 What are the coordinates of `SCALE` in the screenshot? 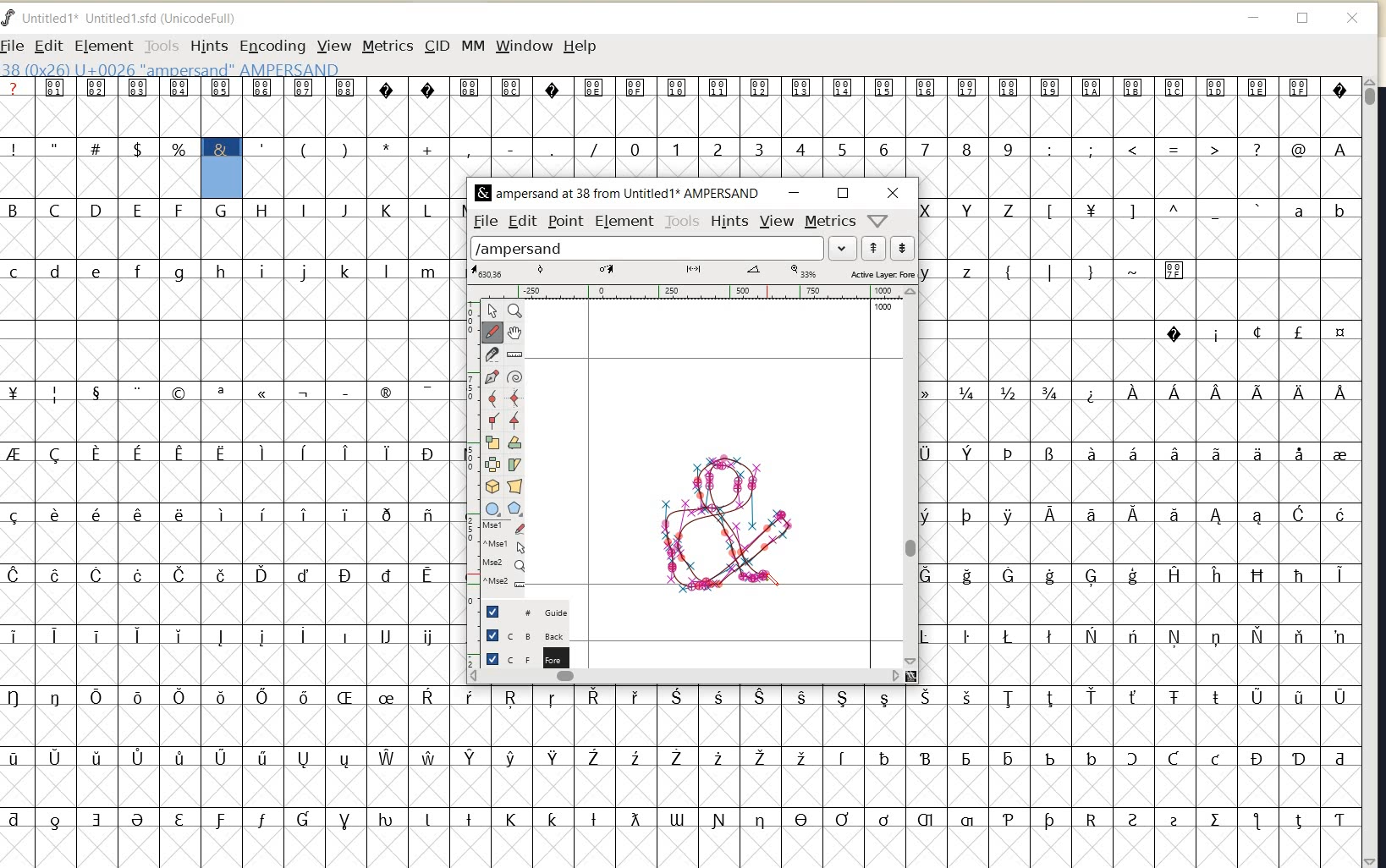 It's located at (470, 449).